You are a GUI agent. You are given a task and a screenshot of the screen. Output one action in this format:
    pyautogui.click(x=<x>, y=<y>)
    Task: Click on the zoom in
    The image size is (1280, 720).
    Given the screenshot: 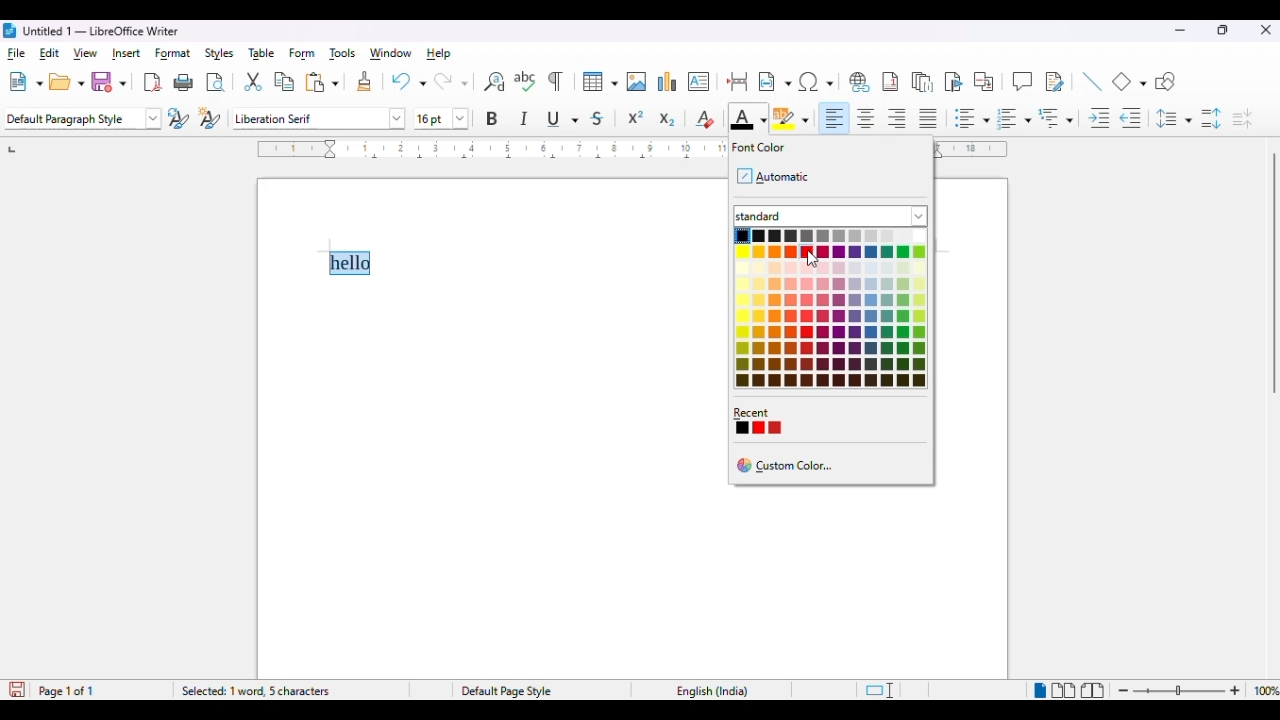 What is the action you would take?
    pyautogui.click(x=1234, y=691)
    